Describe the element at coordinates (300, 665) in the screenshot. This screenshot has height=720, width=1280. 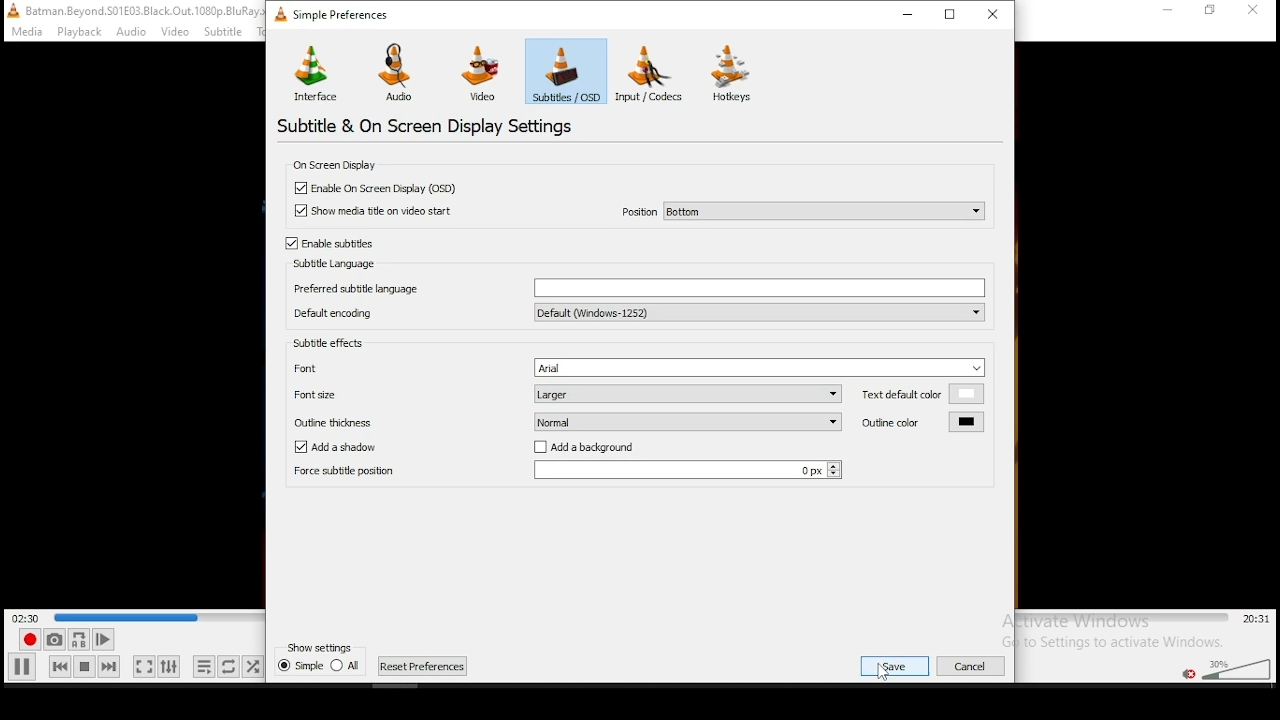
I see `simple` at that location.